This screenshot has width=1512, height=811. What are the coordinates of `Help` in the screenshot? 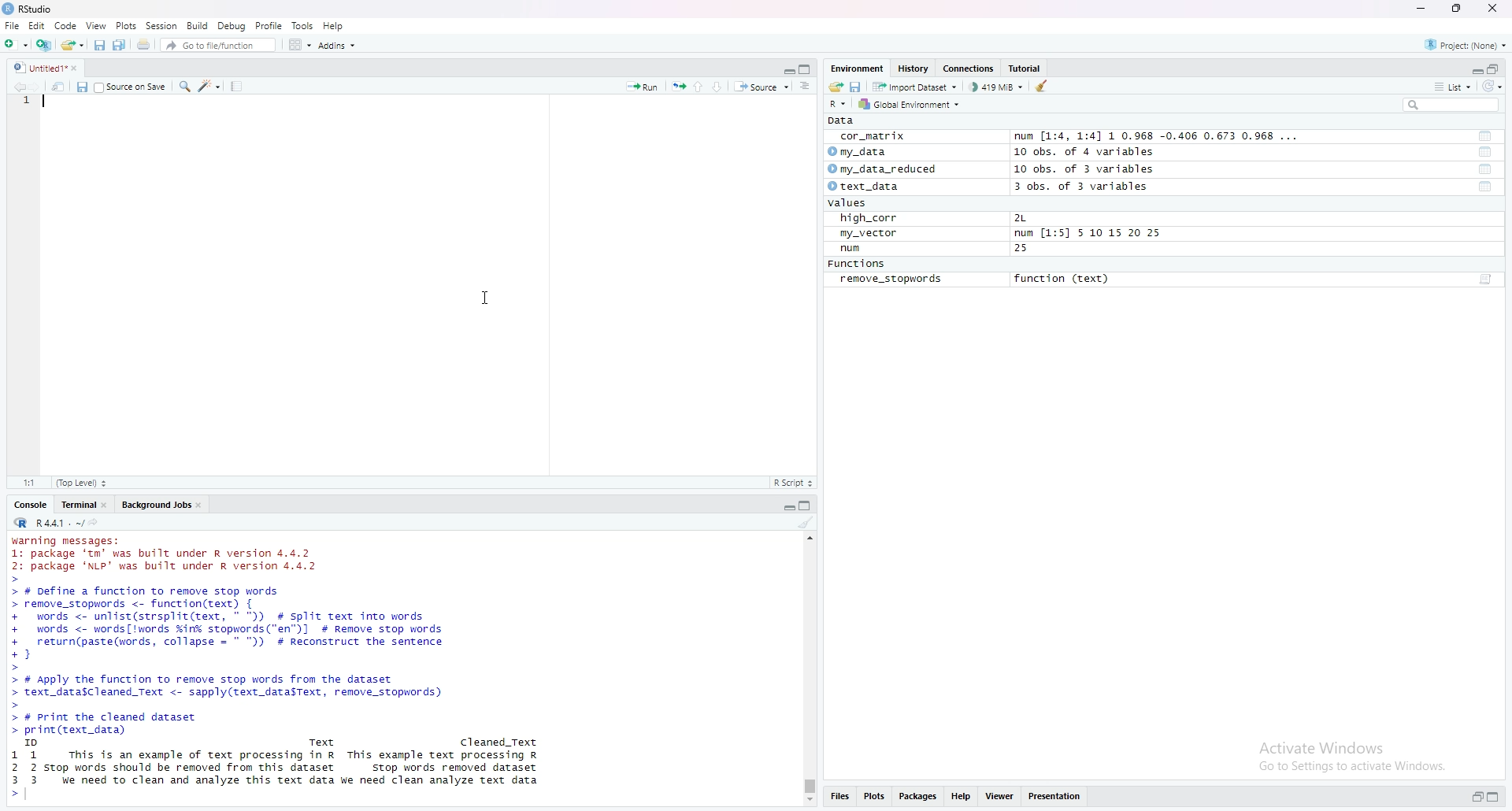 It's located at (962, 797).